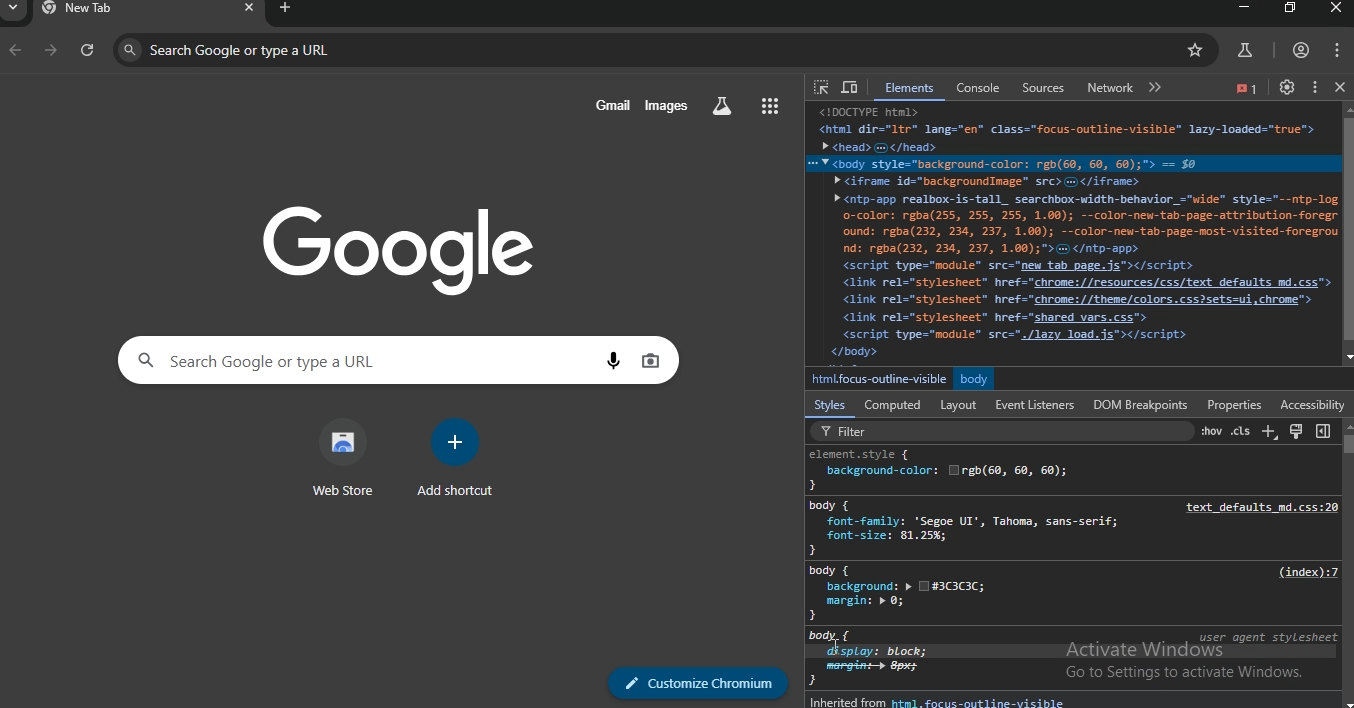 This screenshot has width=1354, height=708. I want to click on images, so click(663, 106).